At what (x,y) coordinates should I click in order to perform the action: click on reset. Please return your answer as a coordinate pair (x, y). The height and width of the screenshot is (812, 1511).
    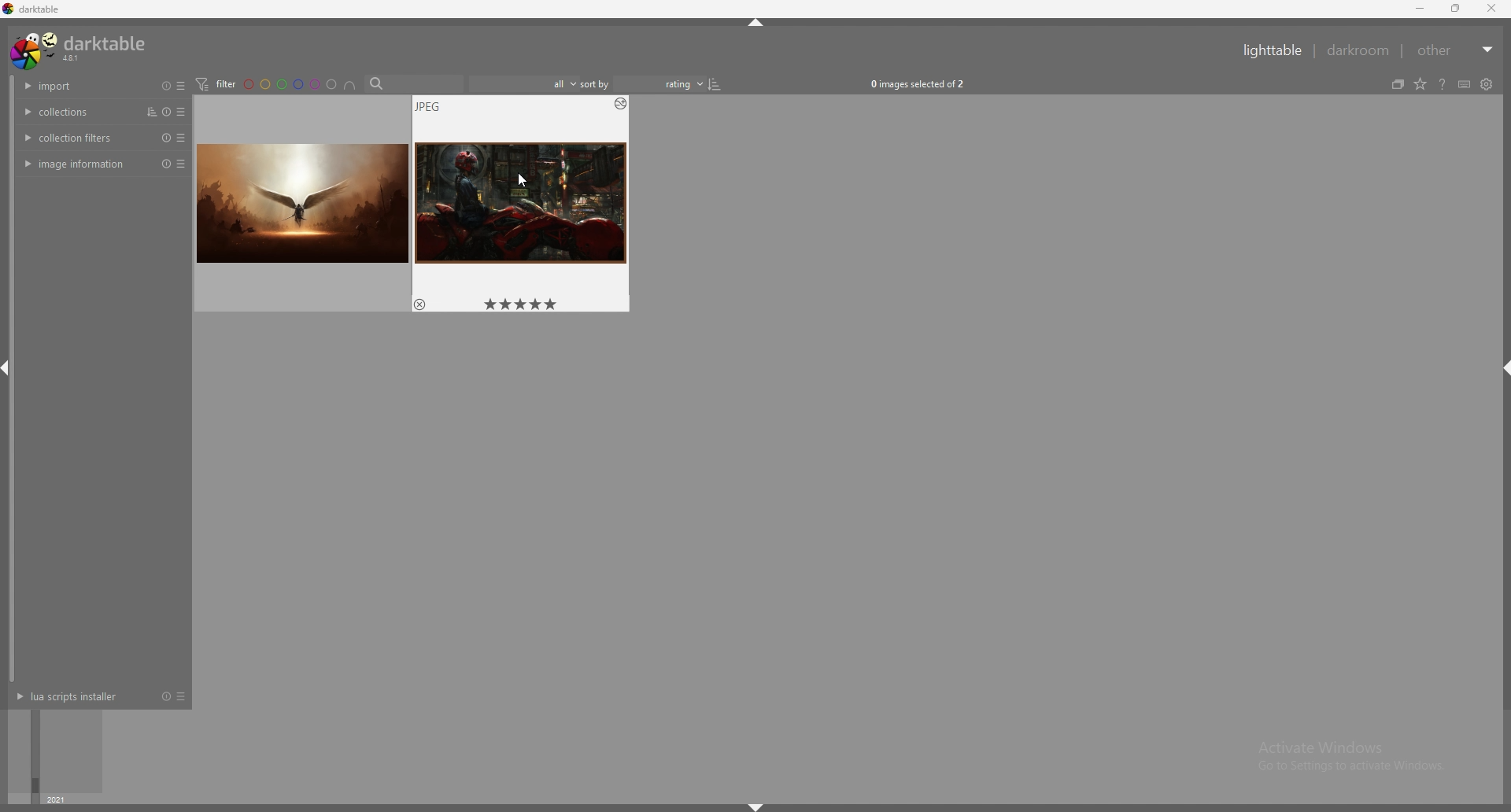
    Looking at the image, I should click on (165, 137).